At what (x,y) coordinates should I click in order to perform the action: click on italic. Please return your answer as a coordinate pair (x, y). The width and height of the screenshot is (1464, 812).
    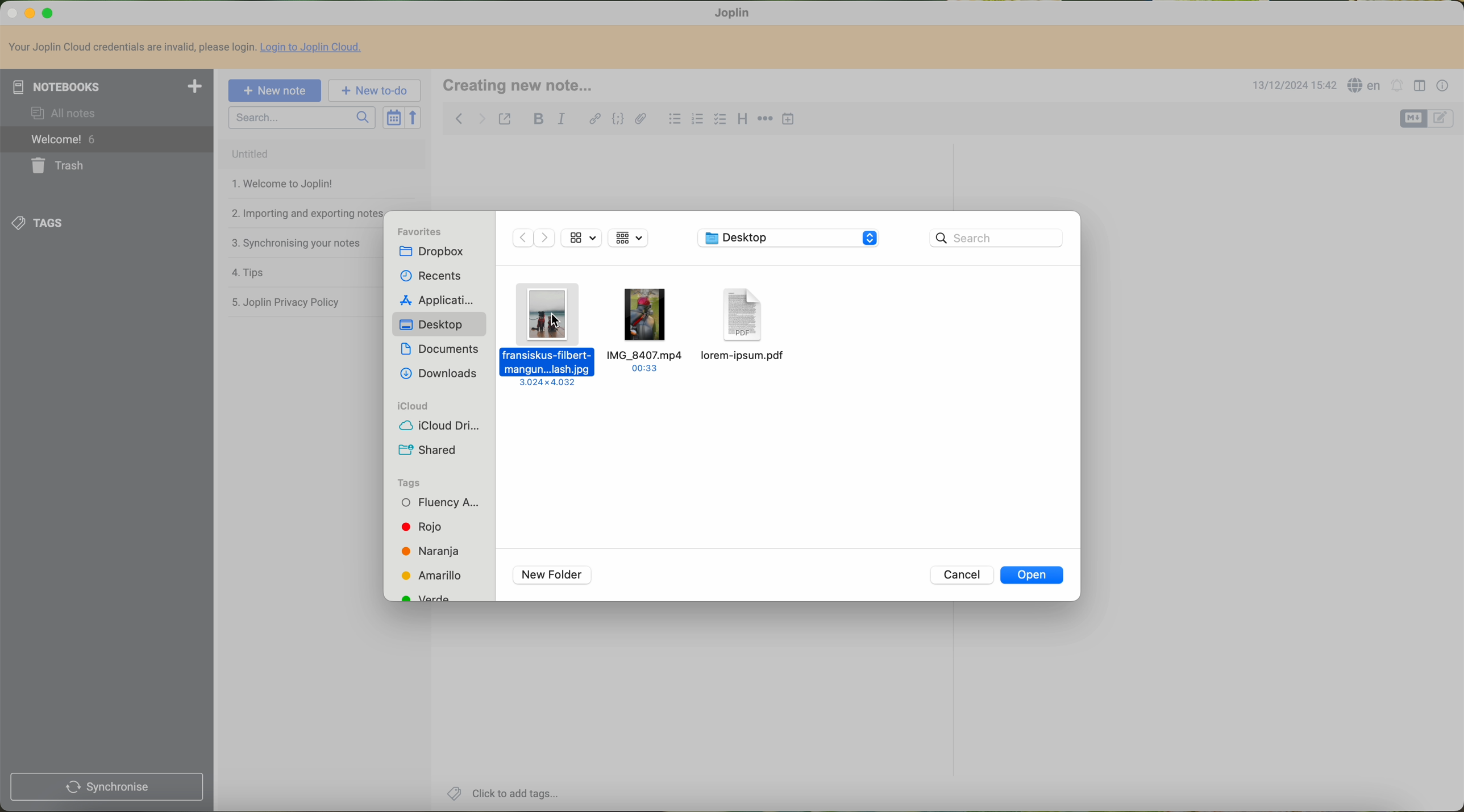
    Looking at the image, I should click on (561, 119).